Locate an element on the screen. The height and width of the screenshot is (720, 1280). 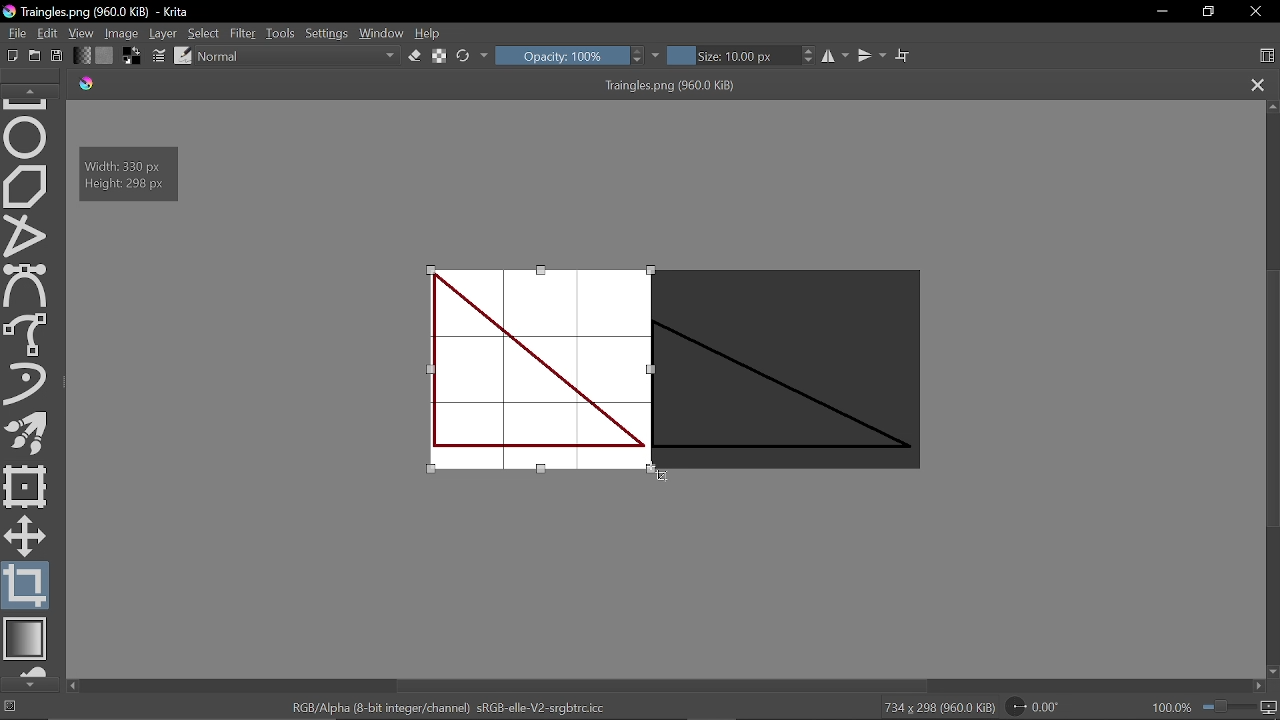
Move a layer is located at coordinates (23, 534).